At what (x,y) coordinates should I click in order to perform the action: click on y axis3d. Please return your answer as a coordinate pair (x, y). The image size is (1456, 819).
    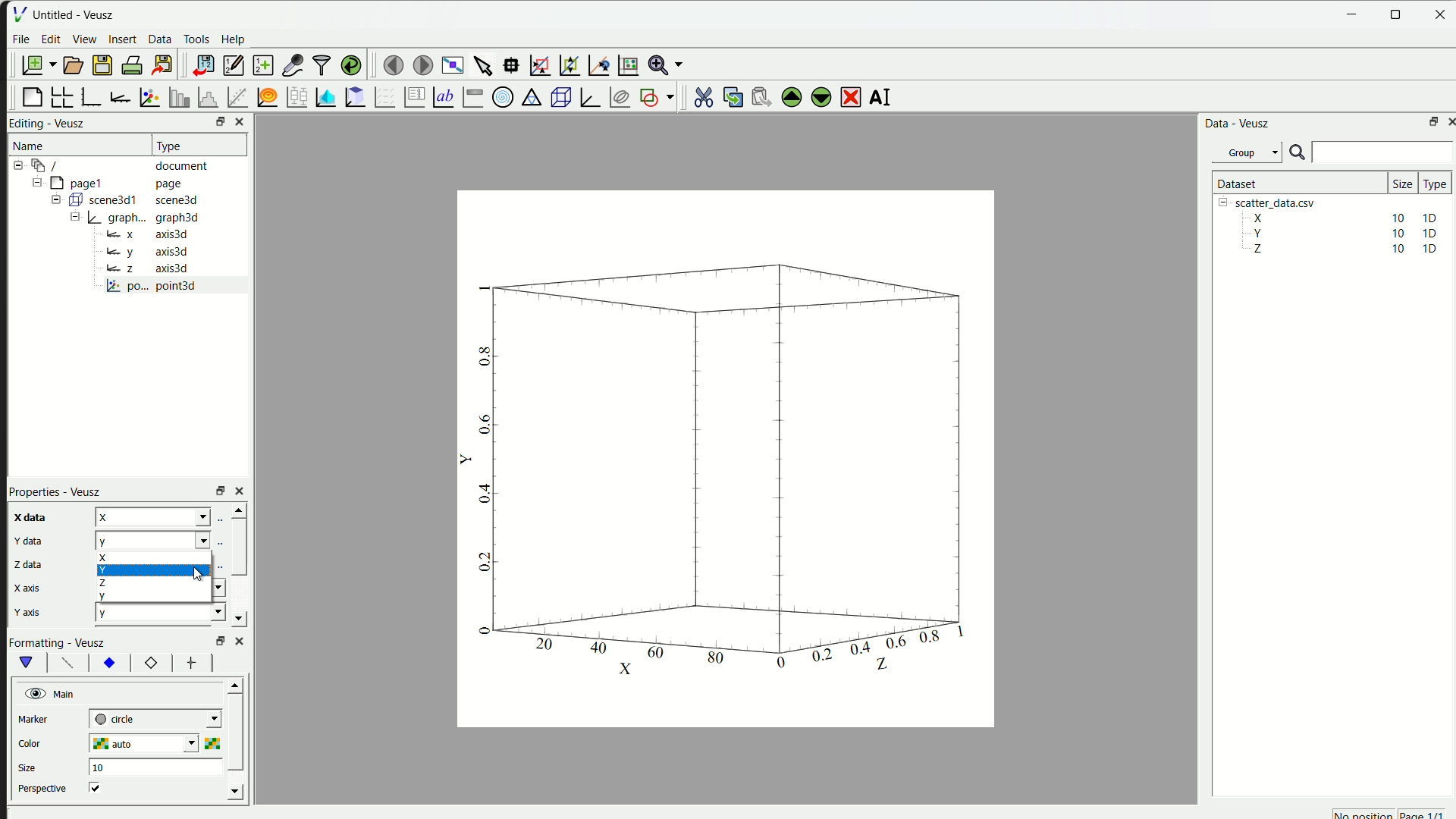
    Looking at the image, I should click on (146, 250).